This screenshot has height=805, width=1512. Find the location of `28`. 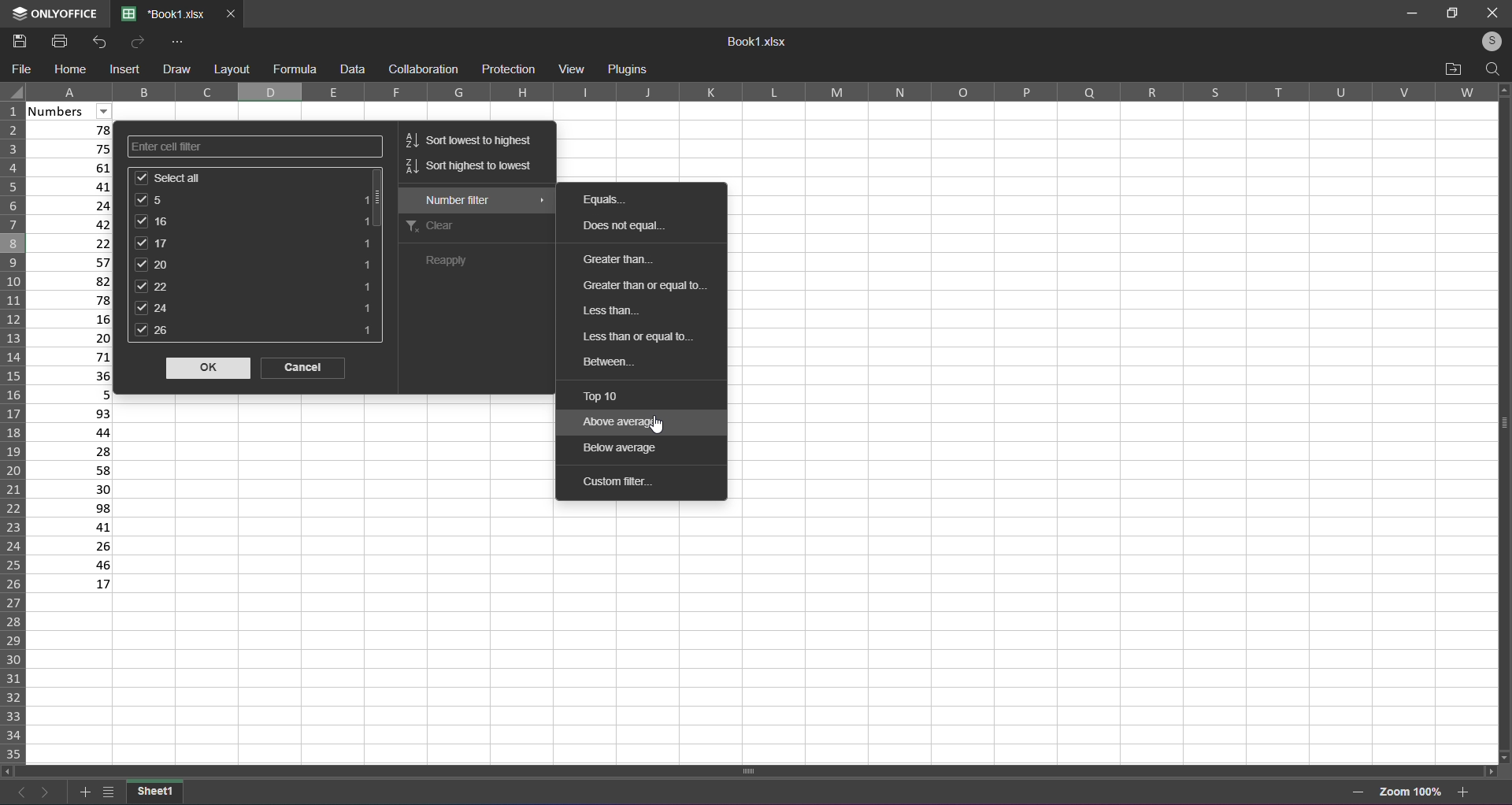

28 is located at coordinates (72, 451).